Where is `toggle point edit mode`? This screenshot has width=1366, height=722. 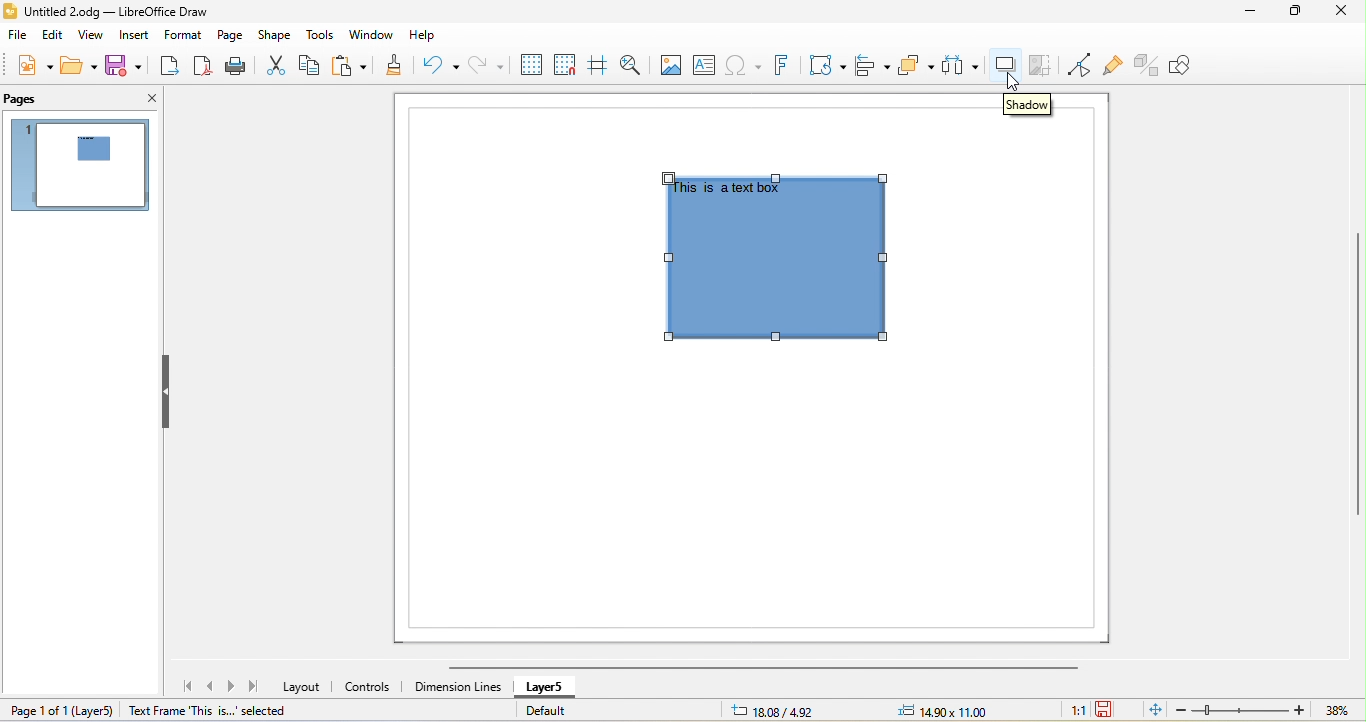 toggle point edit mode is located at coordinates (1079, 65).